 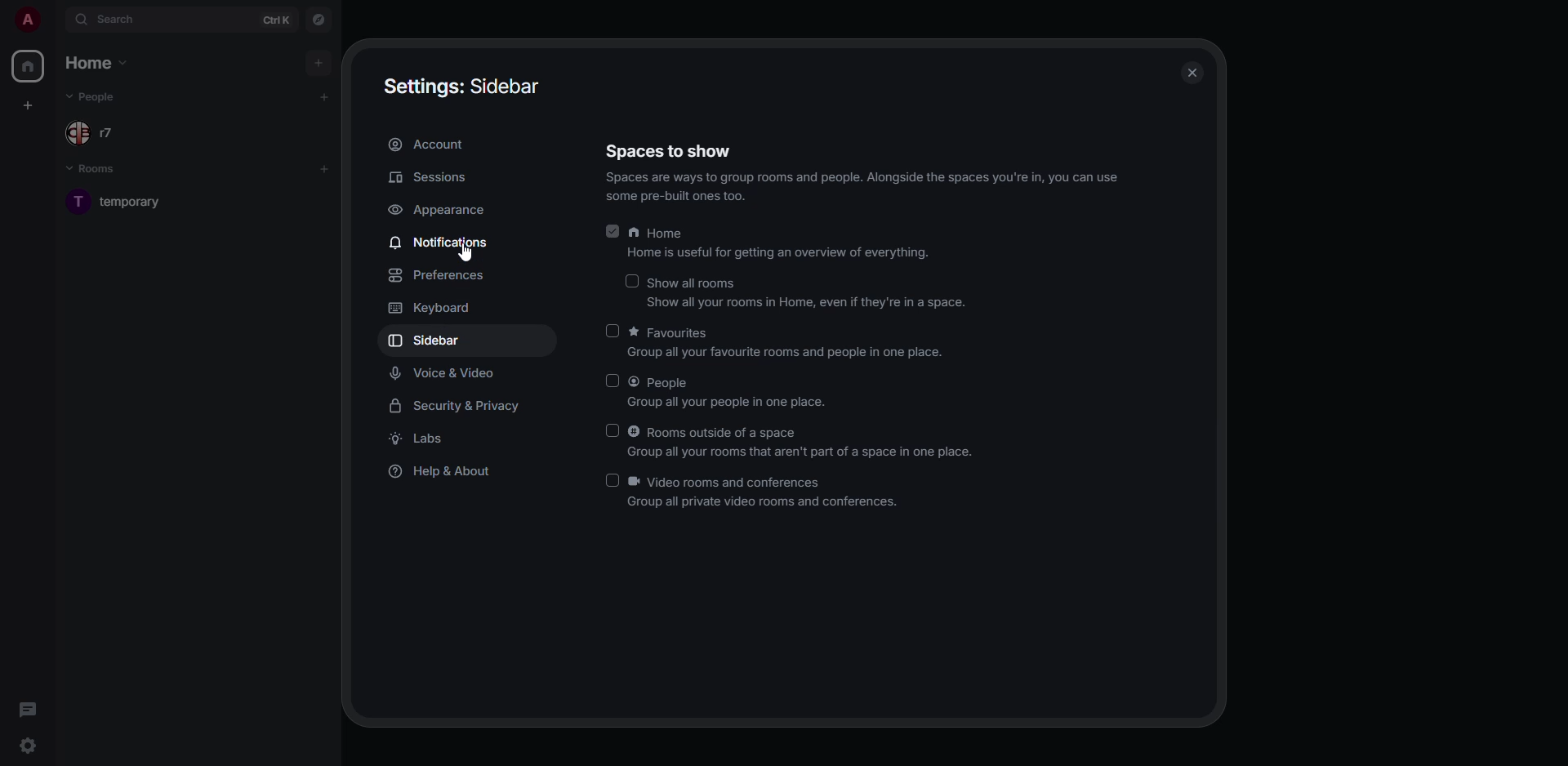 What do you see at coordinates (322, 19) in the screenshot?
I see `navigator` at bounding box center [322, 19].